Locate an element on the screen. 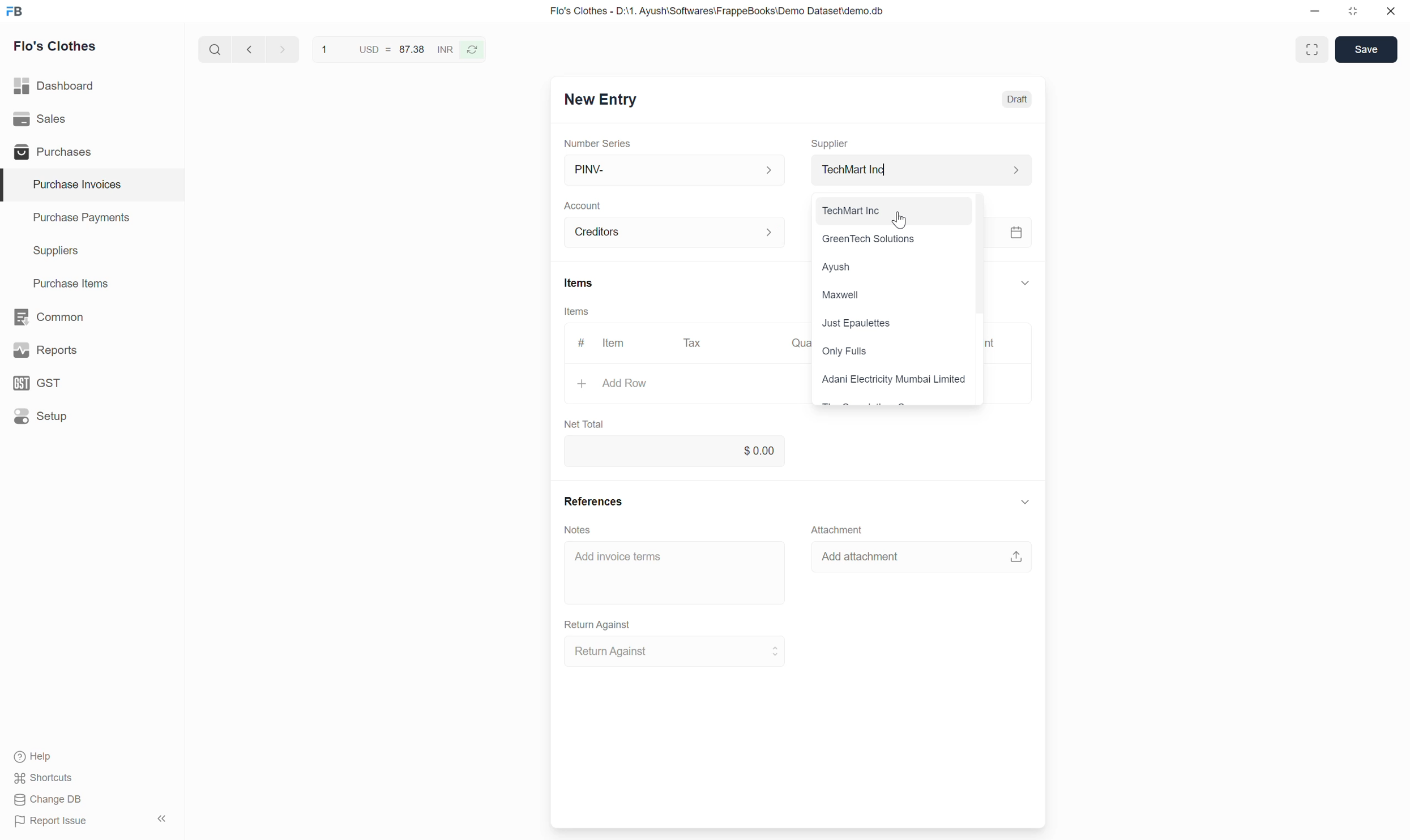  New Entry is located at coordinates (599, 101).